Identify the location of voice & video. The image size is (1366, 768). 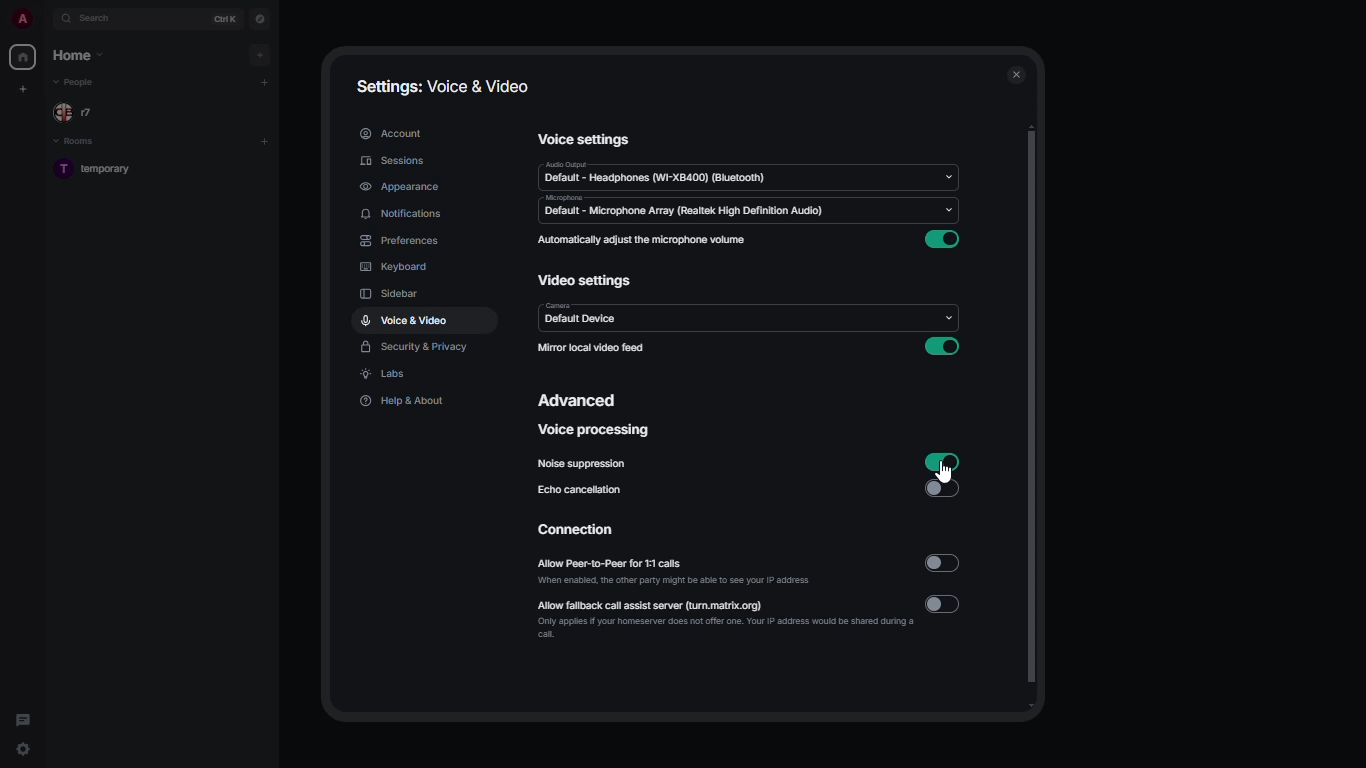
(408, 321).